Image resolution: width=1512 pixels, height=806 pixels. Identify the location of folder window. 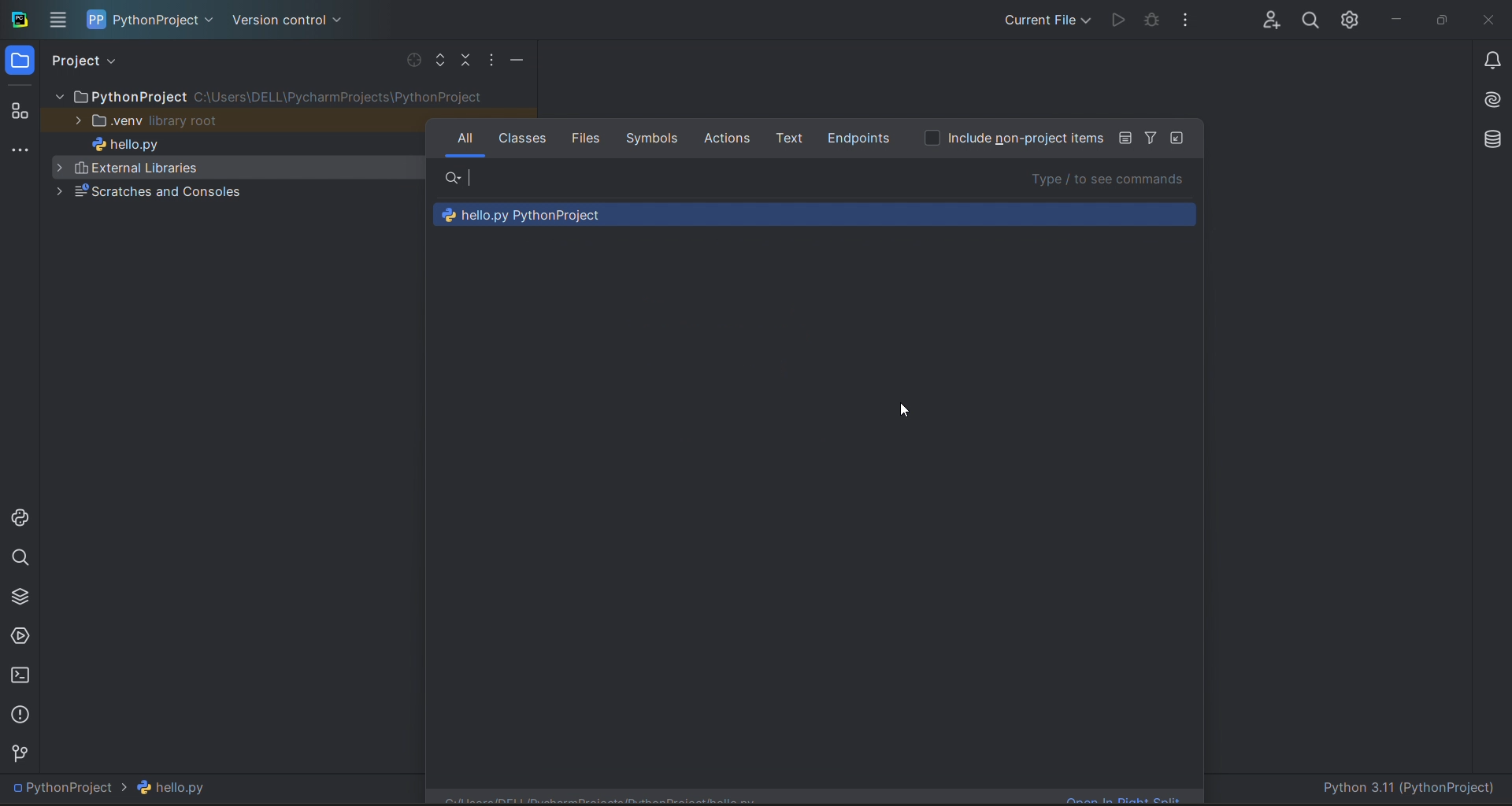
(19, 60).